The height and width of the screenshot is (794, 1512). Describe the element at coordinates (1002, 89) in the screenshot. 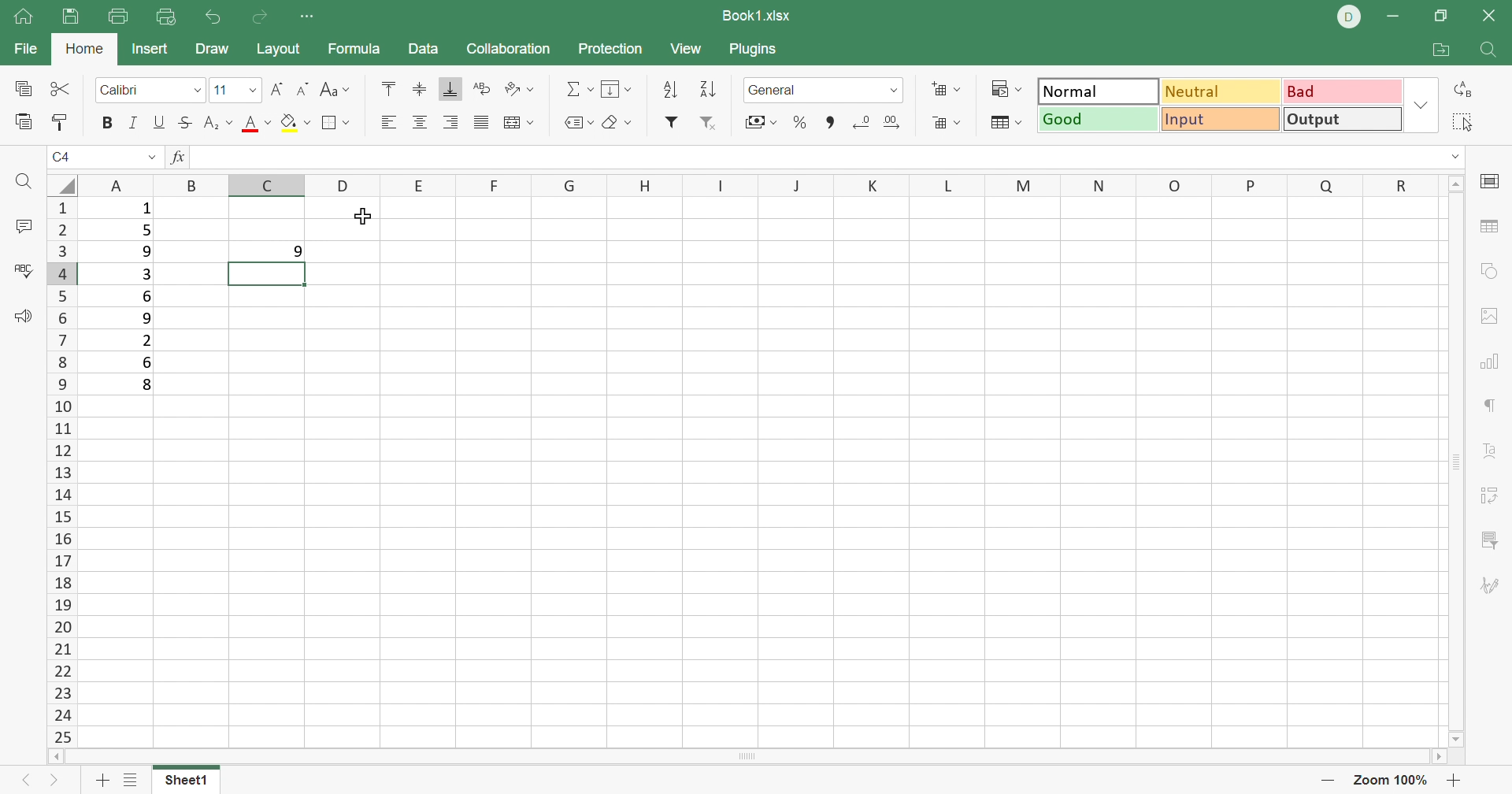

I see `Conditional formatting` at that location.